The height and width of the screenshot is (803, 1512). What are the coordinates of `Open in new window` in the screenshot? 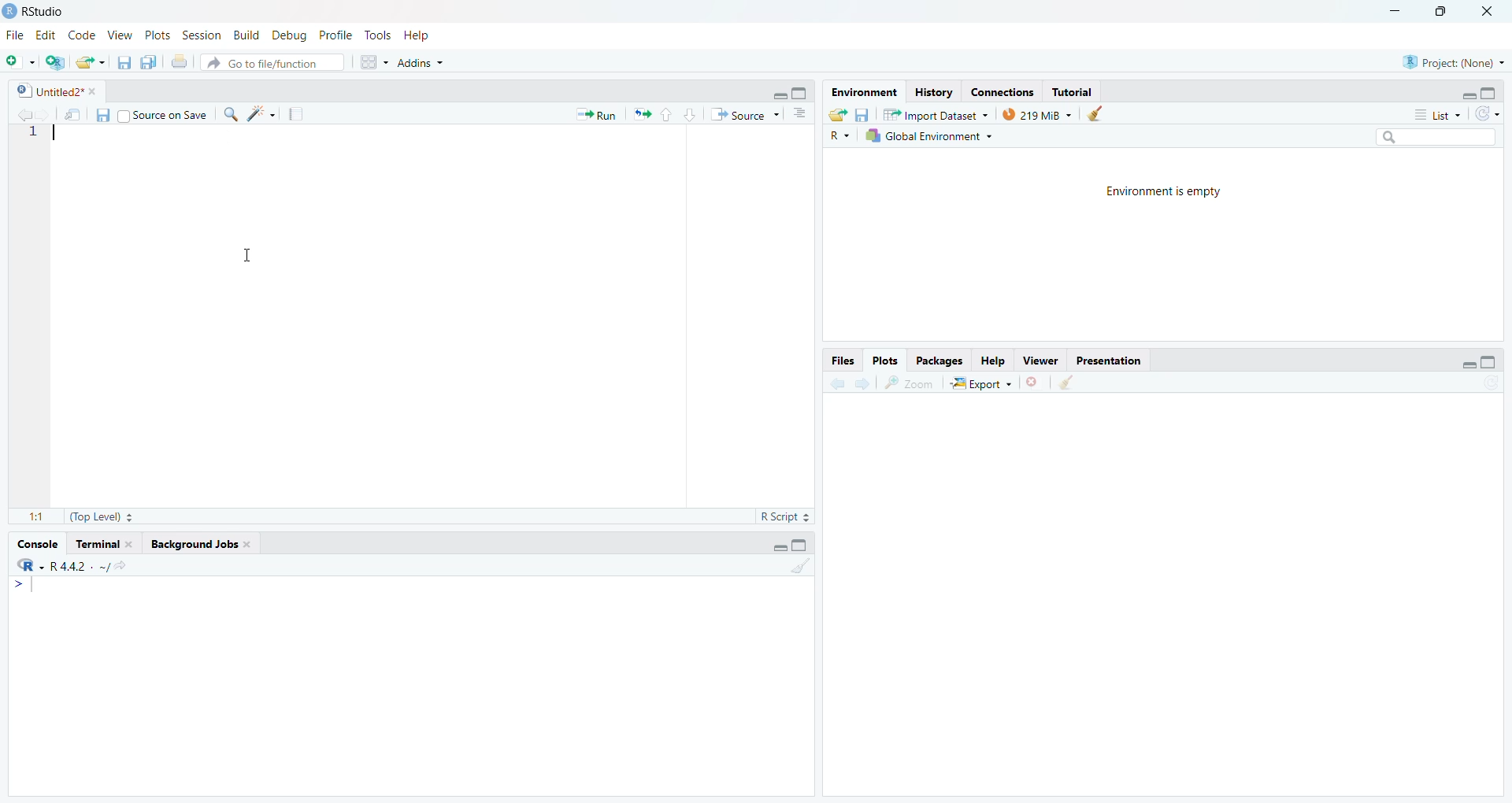 It's located at (74, 113).